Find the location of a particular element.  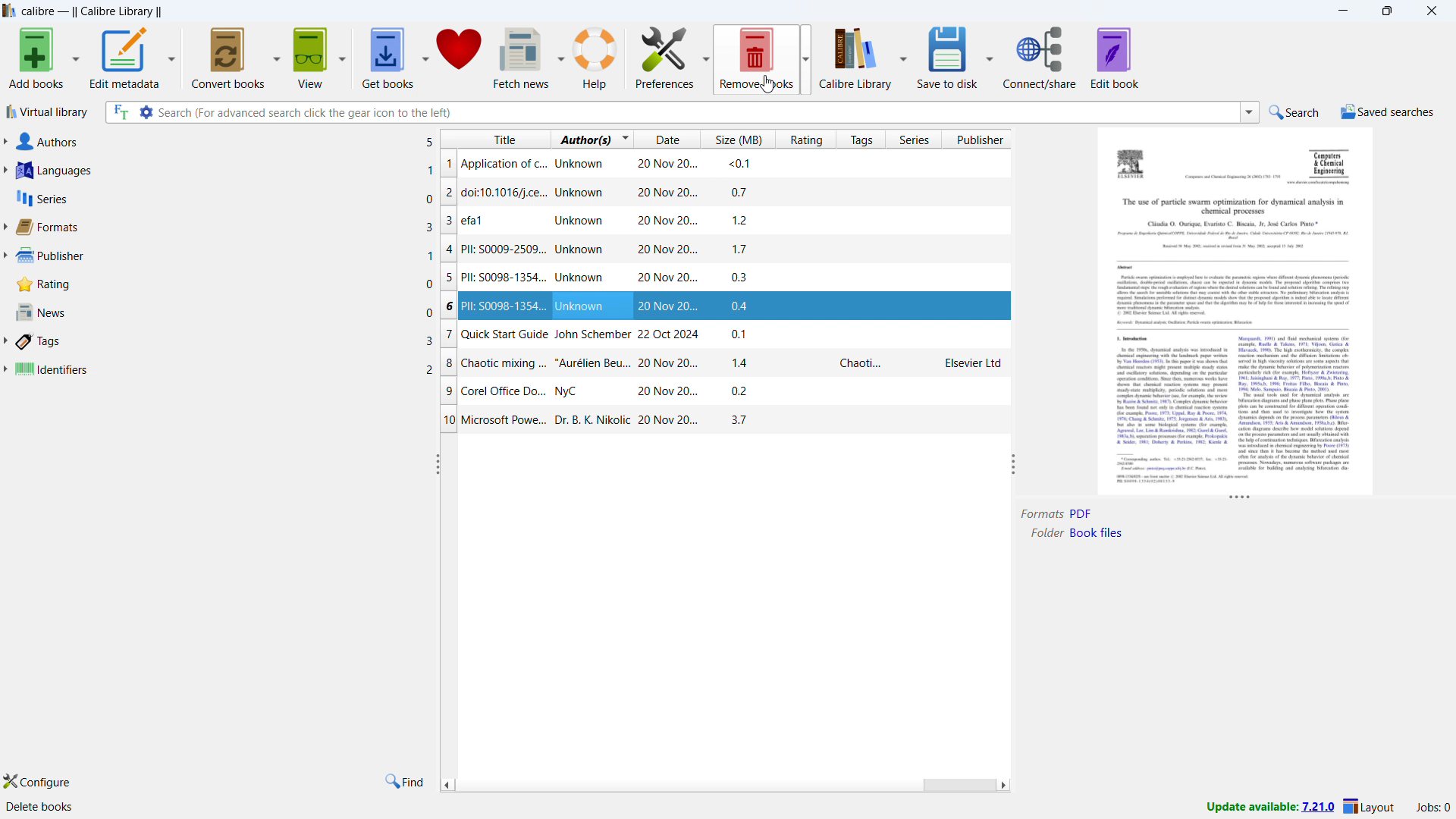

remove books options is located at coordinates (805, 56).